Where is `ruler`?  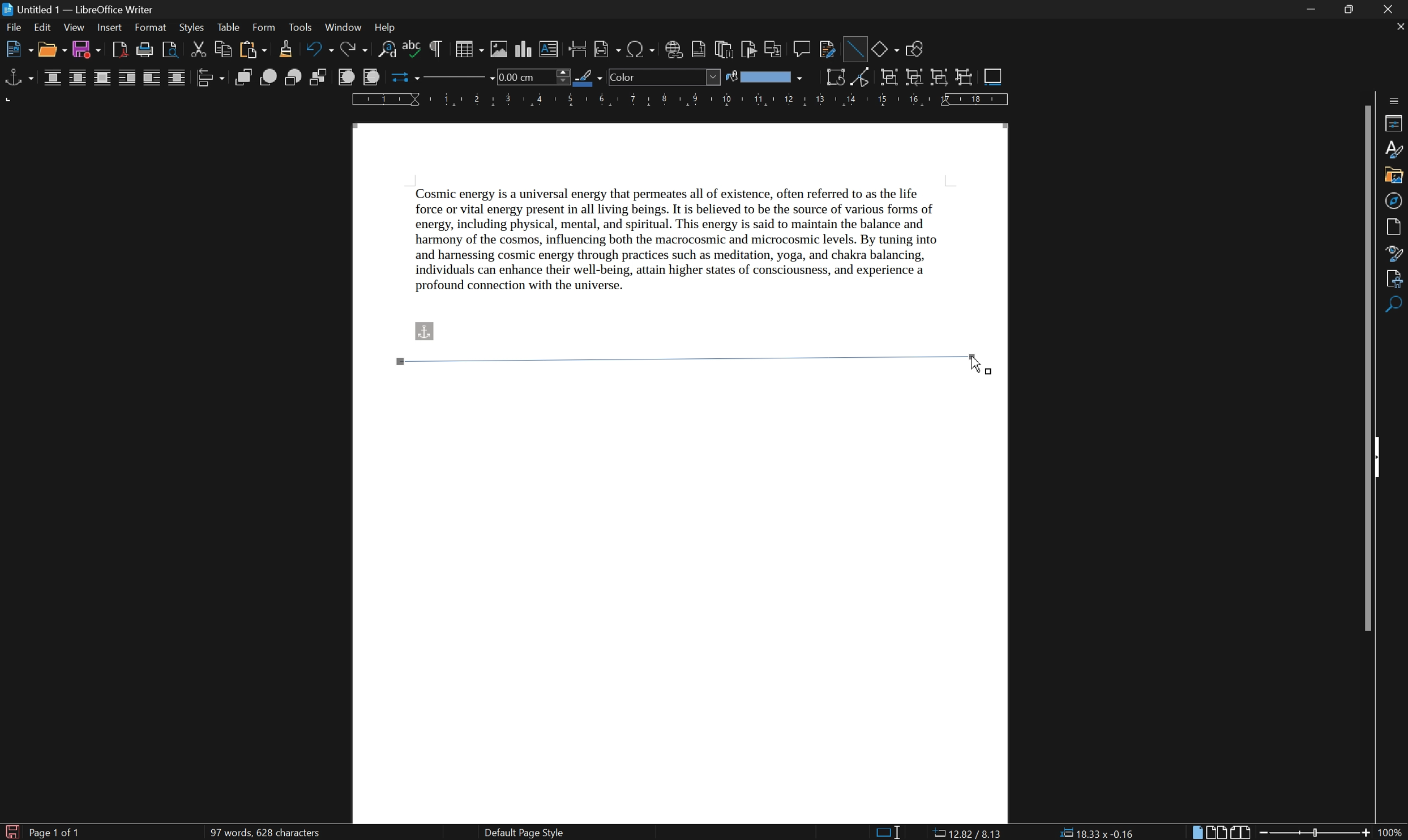 ruler is located at coordinates (679, 100).